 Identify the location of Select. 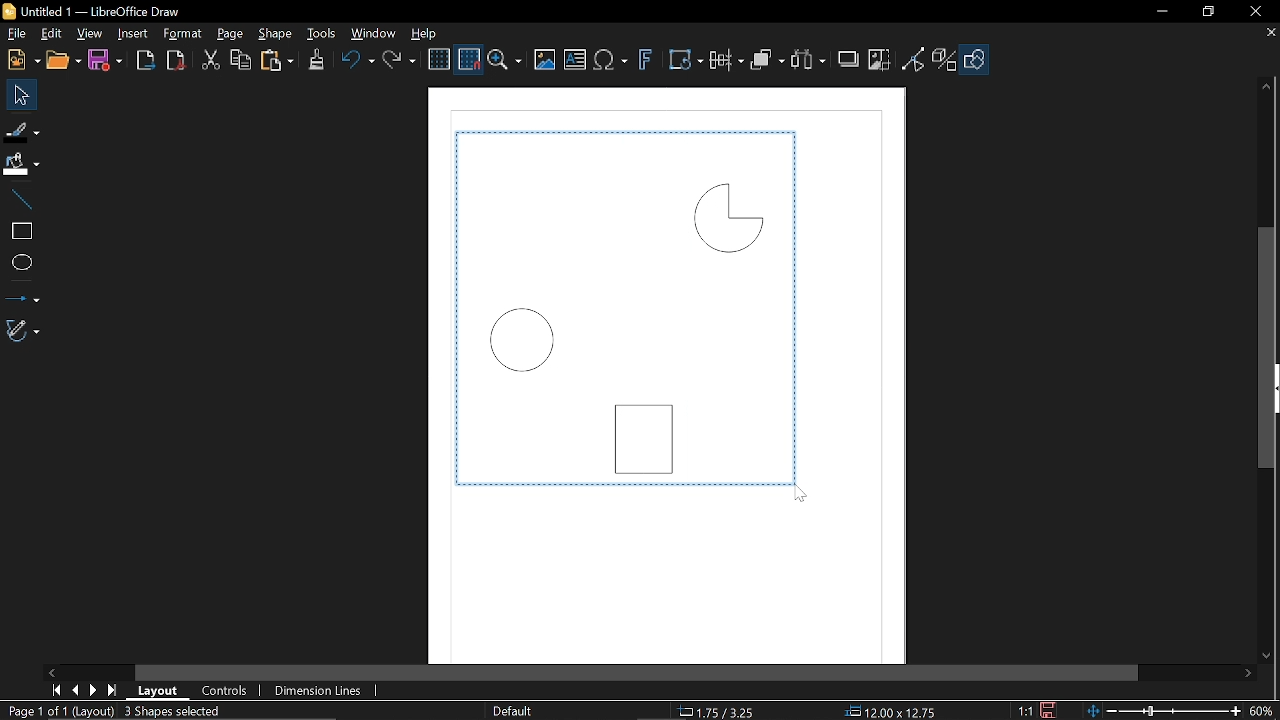
(19, 96).